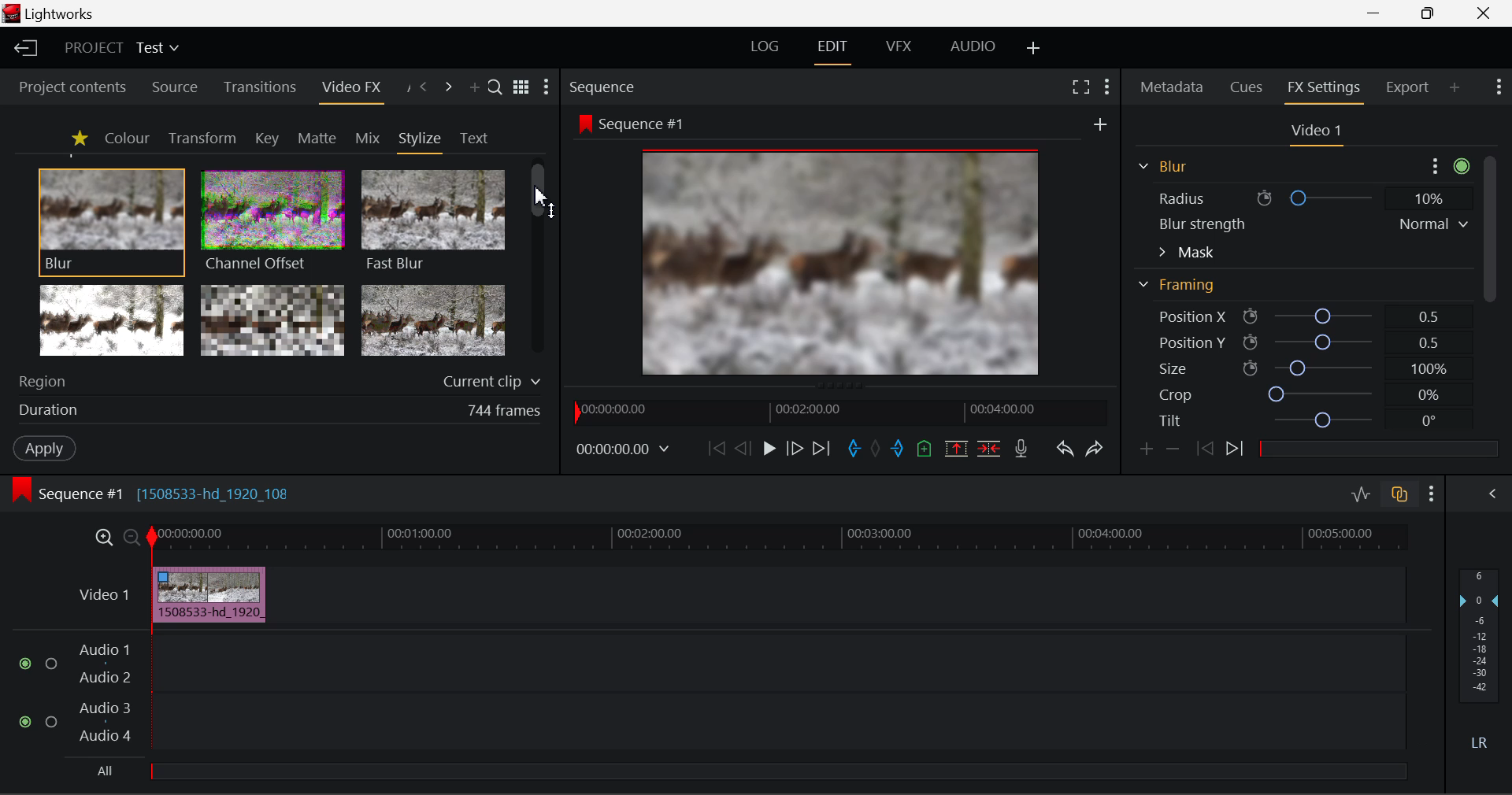 This screenshot has width=1512, height=795. Describe the element at coordinates (1298, 395) in the screenshot. I see `Crop` at that location.